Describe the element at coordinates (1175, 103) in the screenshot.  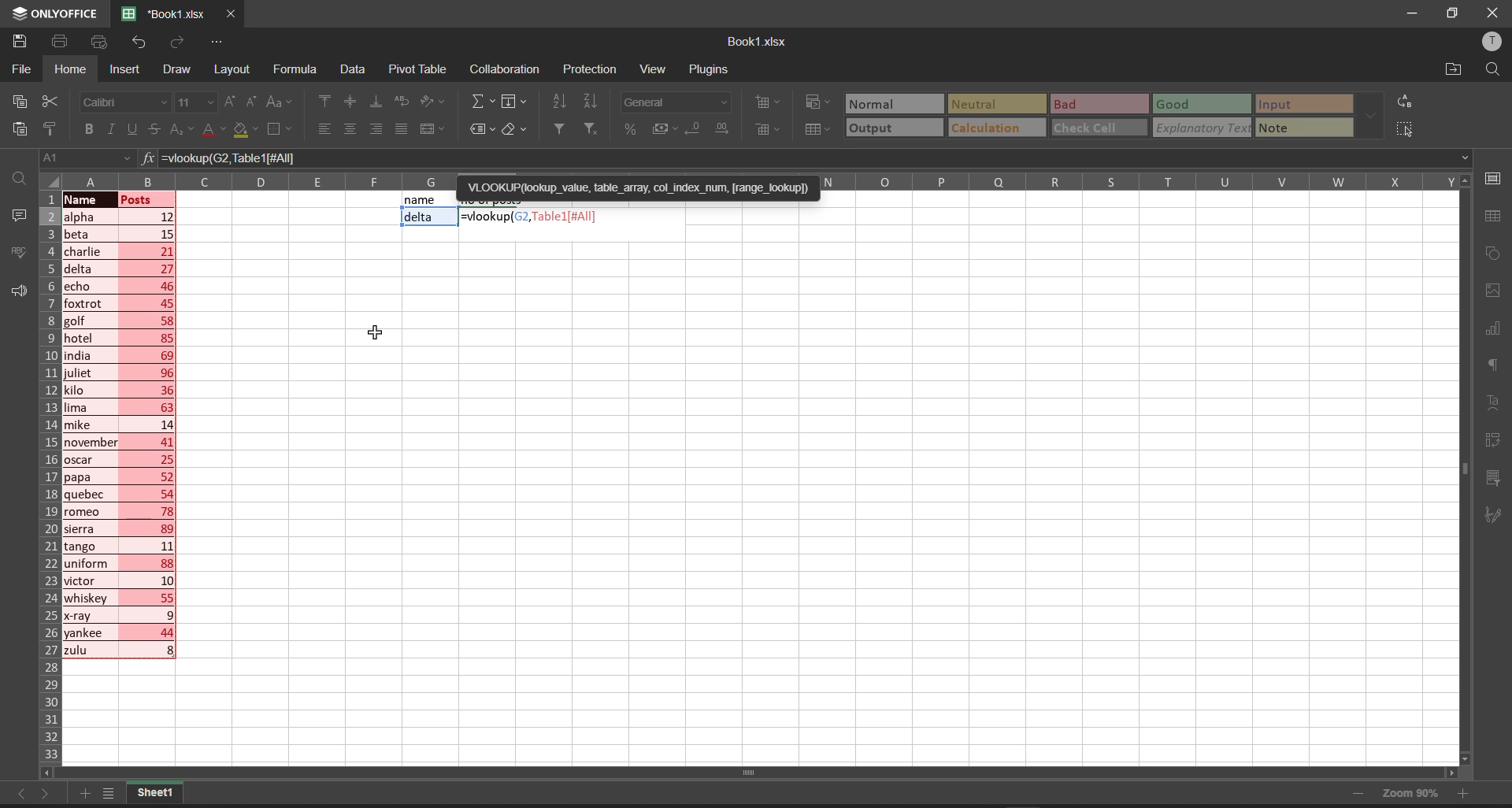
I see `Good` at that location.